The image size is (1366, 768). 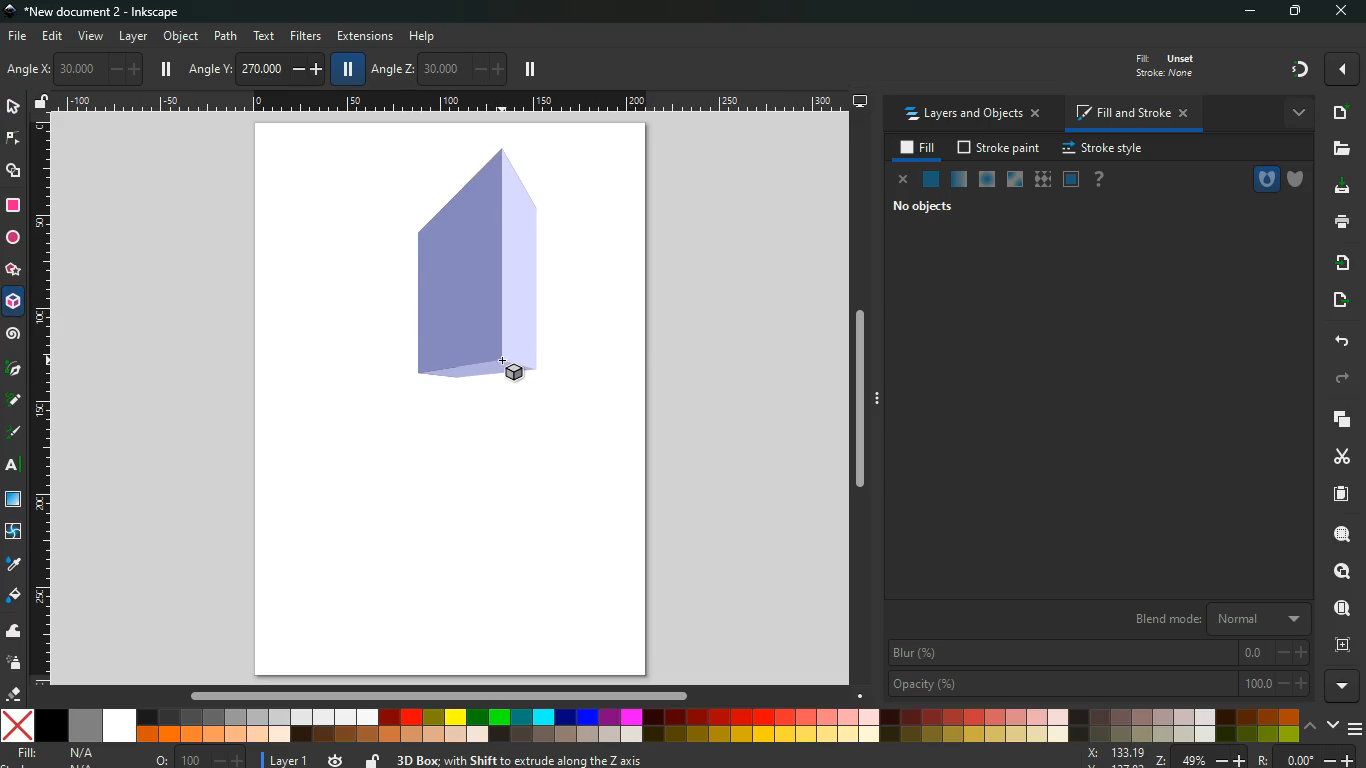 What do you see at coordinates (922, 208) in the screenshot?
I see `no objects` at bounding box center [922, 208].